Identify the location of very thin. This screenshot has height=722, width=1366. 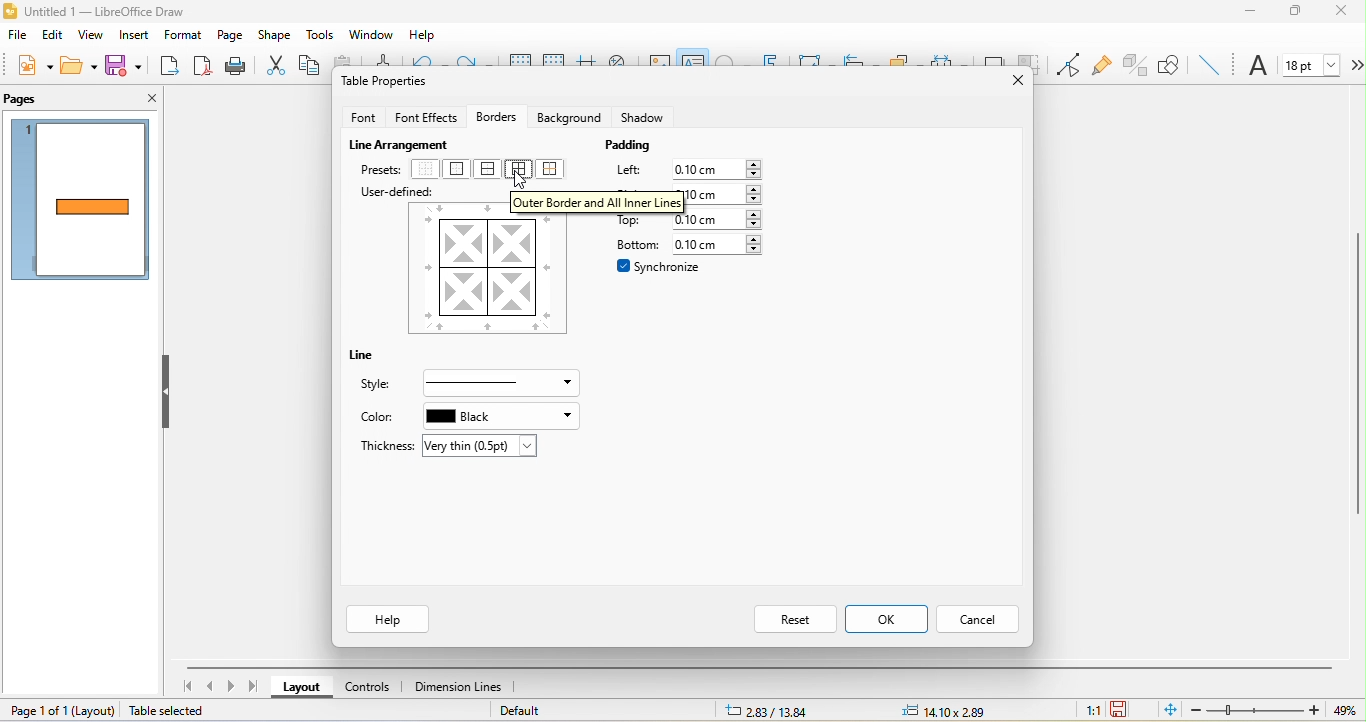
(482, 446).